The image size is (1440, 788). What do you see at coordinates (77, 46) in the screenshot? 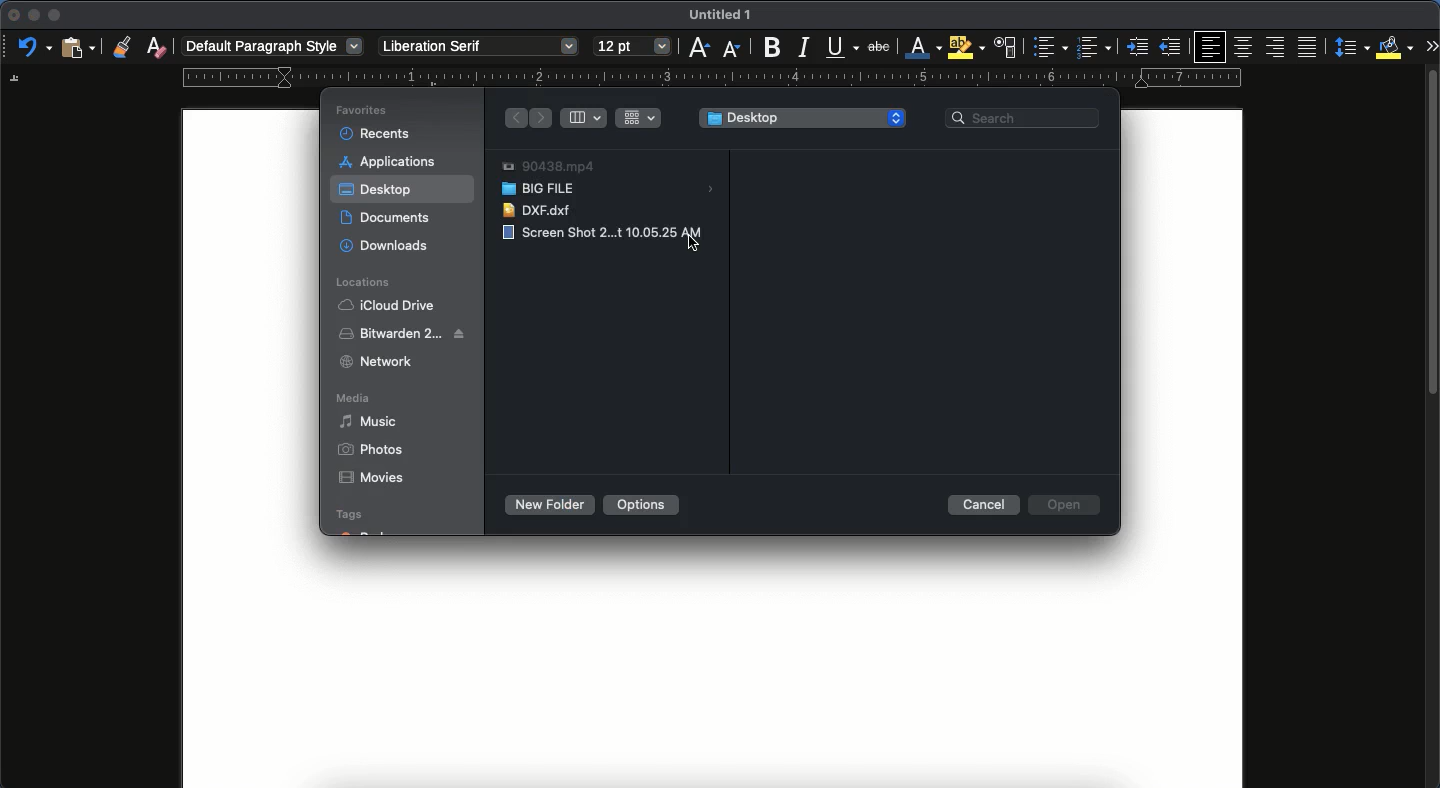
I see `paste` at bounding box center [77, 46].